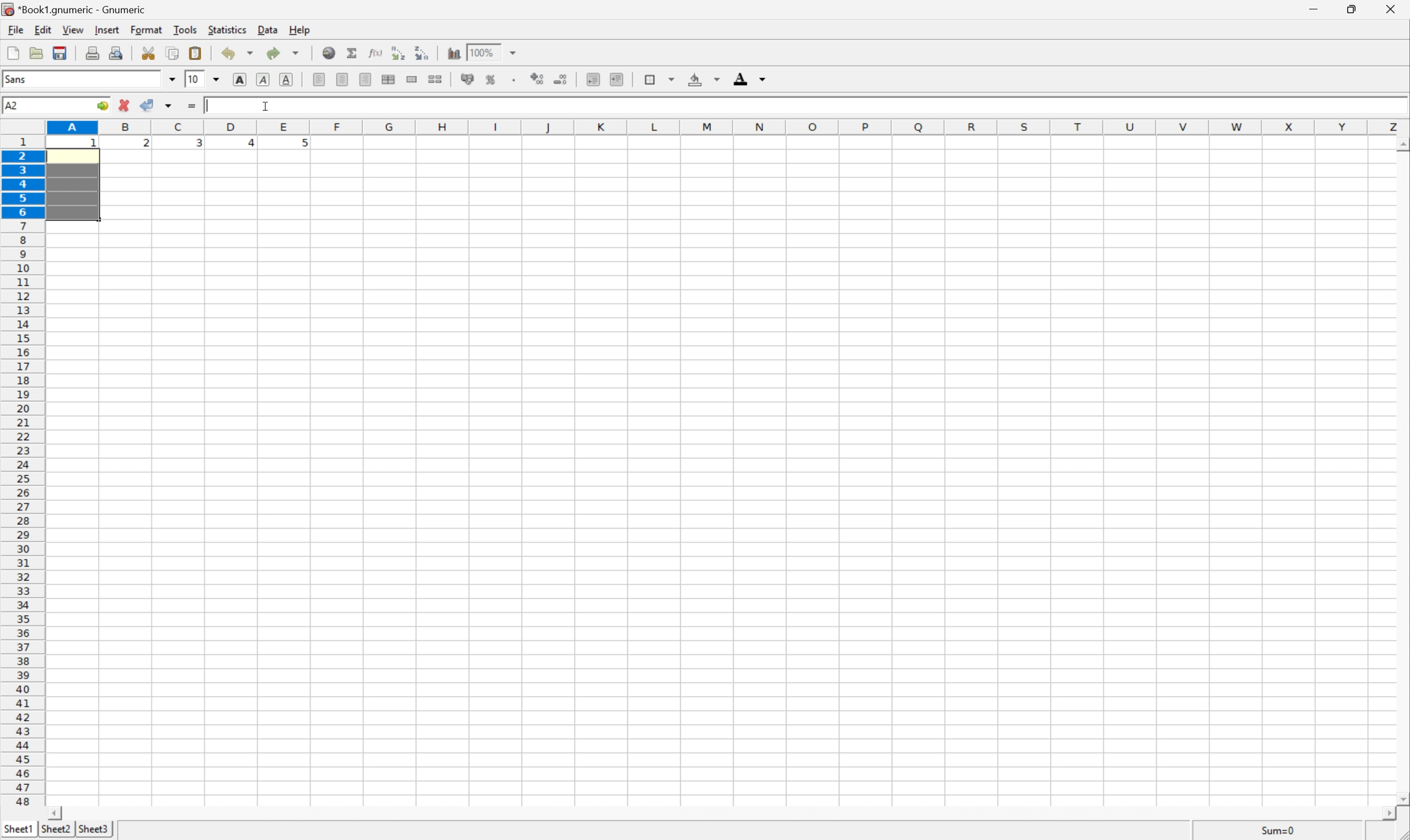 The image size is (1410, 840). What do you see at coordinates (437, 78) in the screenshot?
I see `split merged ranges of cells` at bounding box center [437, 78].